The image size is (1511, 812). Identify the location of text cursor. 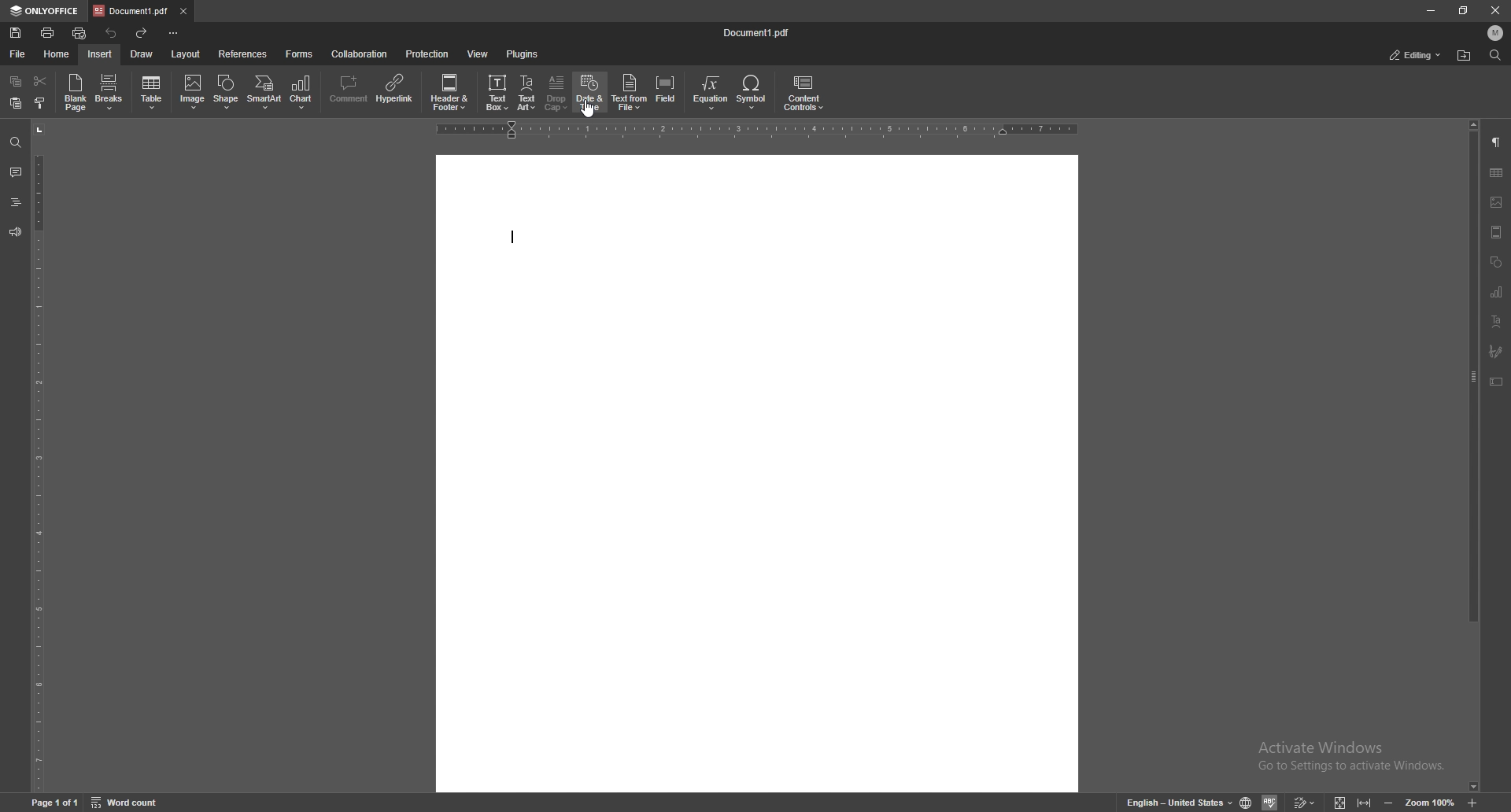
(519, 239).